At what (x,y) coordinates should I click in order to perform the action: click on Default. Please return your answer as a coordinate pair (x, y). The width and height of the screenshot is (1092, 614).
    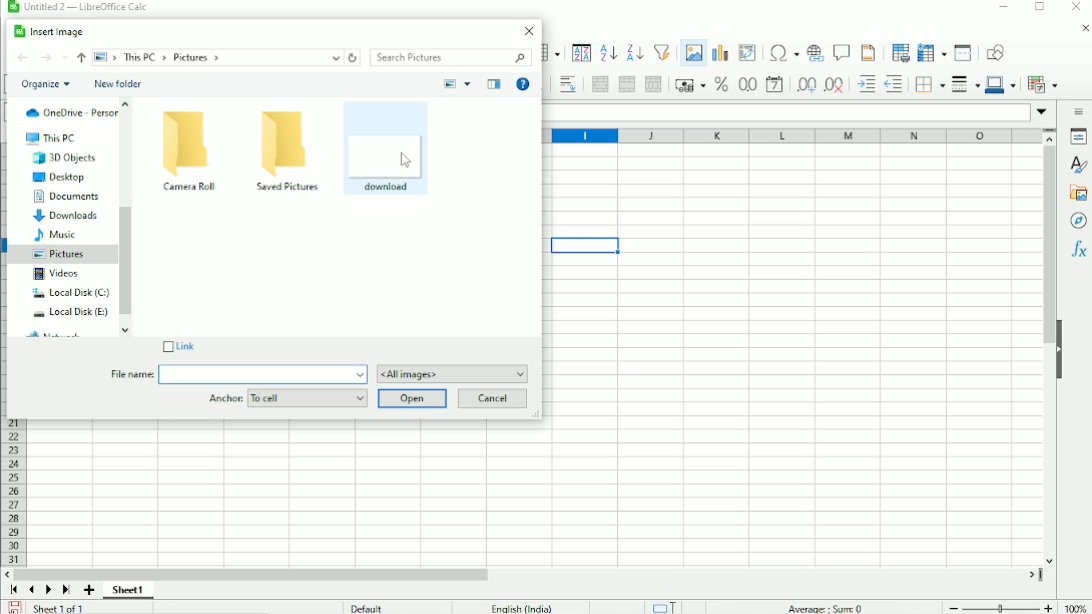
    Looking at the image, I should click on (369, 607).